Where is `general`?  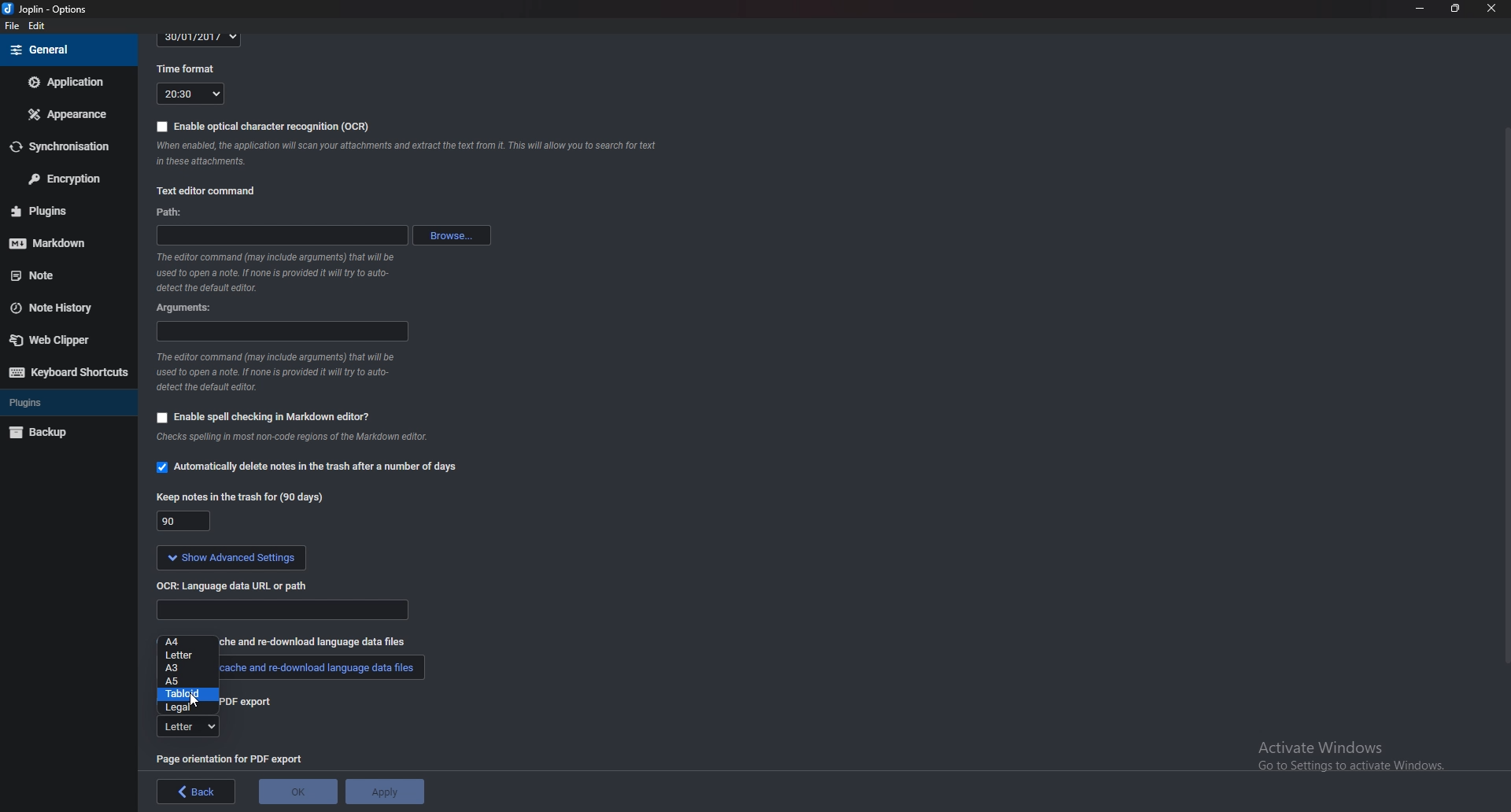
general is located at coordinates (67, 50).